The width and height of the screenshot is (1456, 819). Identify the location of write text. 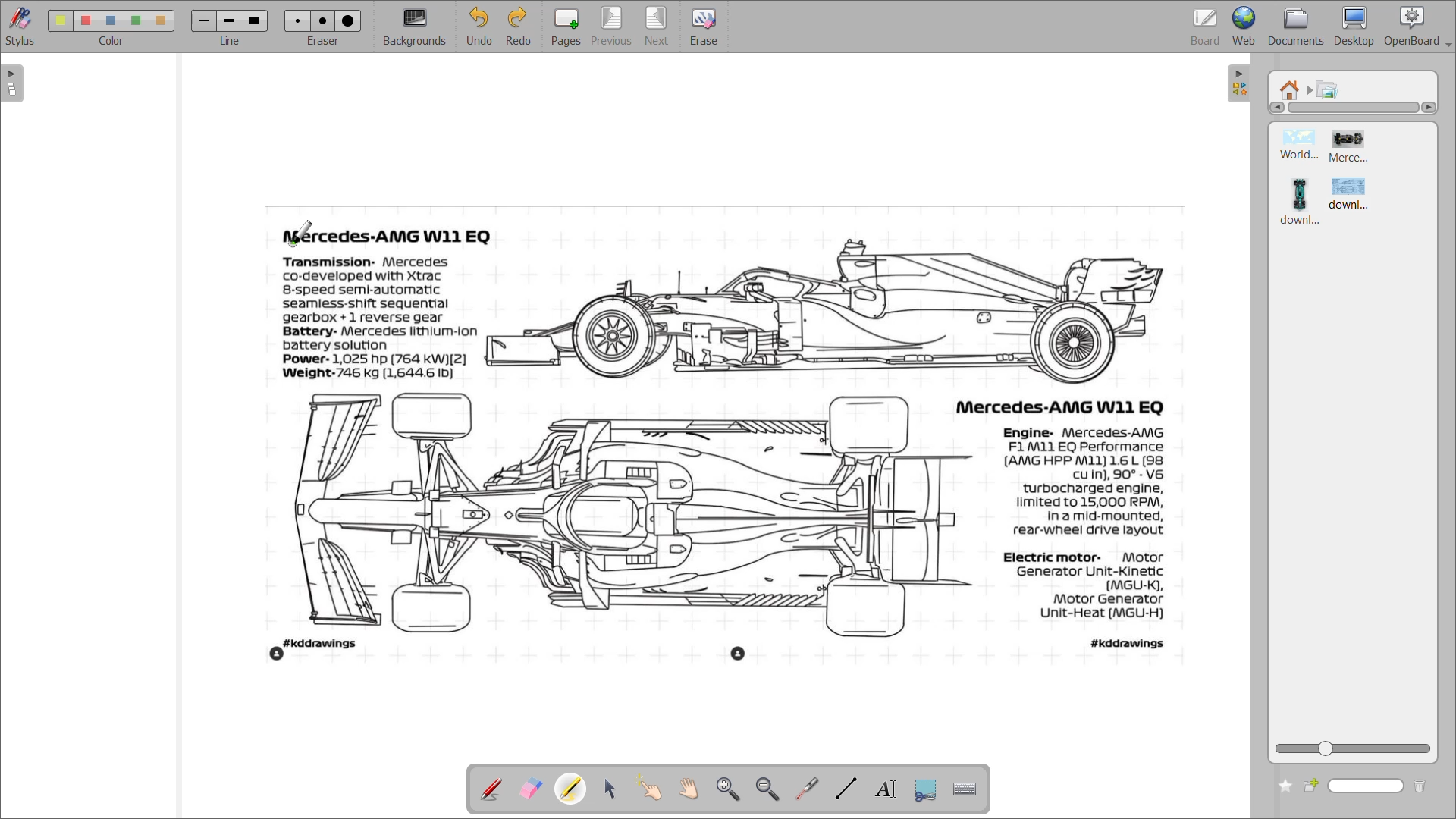
(885, 789).